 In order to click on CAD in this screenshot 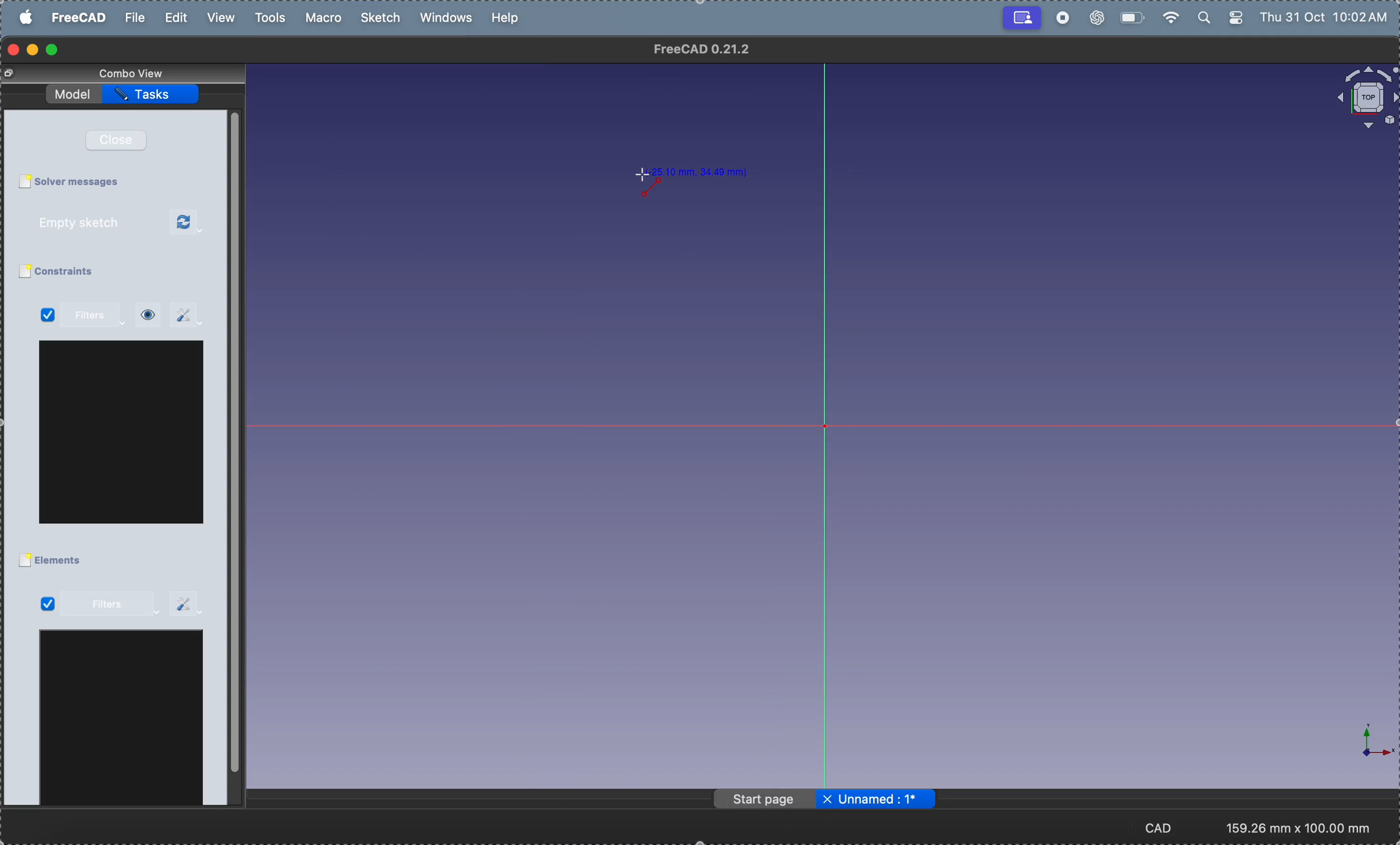, I will do `click(1166, 827)`.